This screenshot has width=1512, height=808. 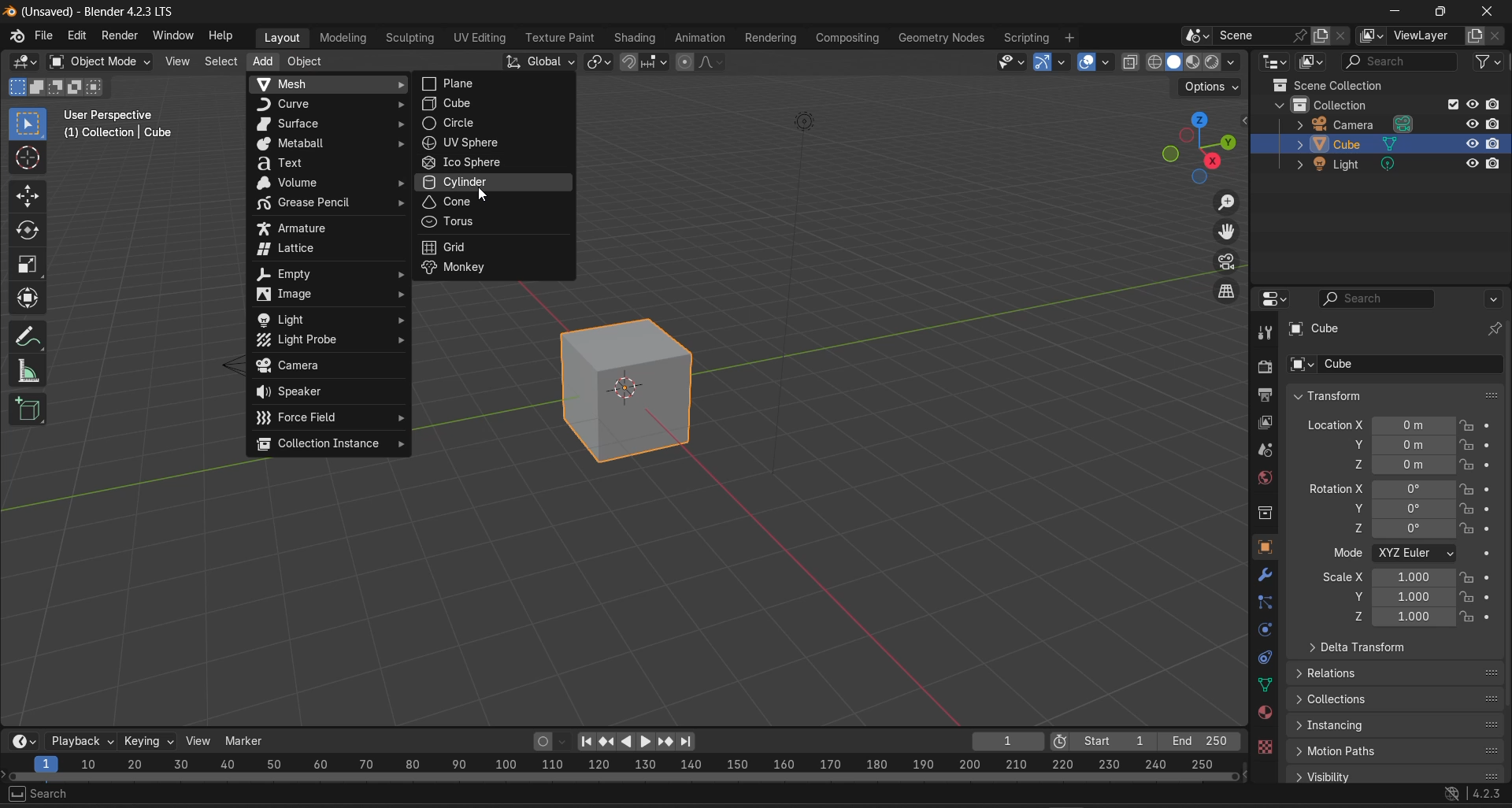 What do you see at coordinates (117, 36) in the screenshot?
I see `render` at bounding box center [117, 36].